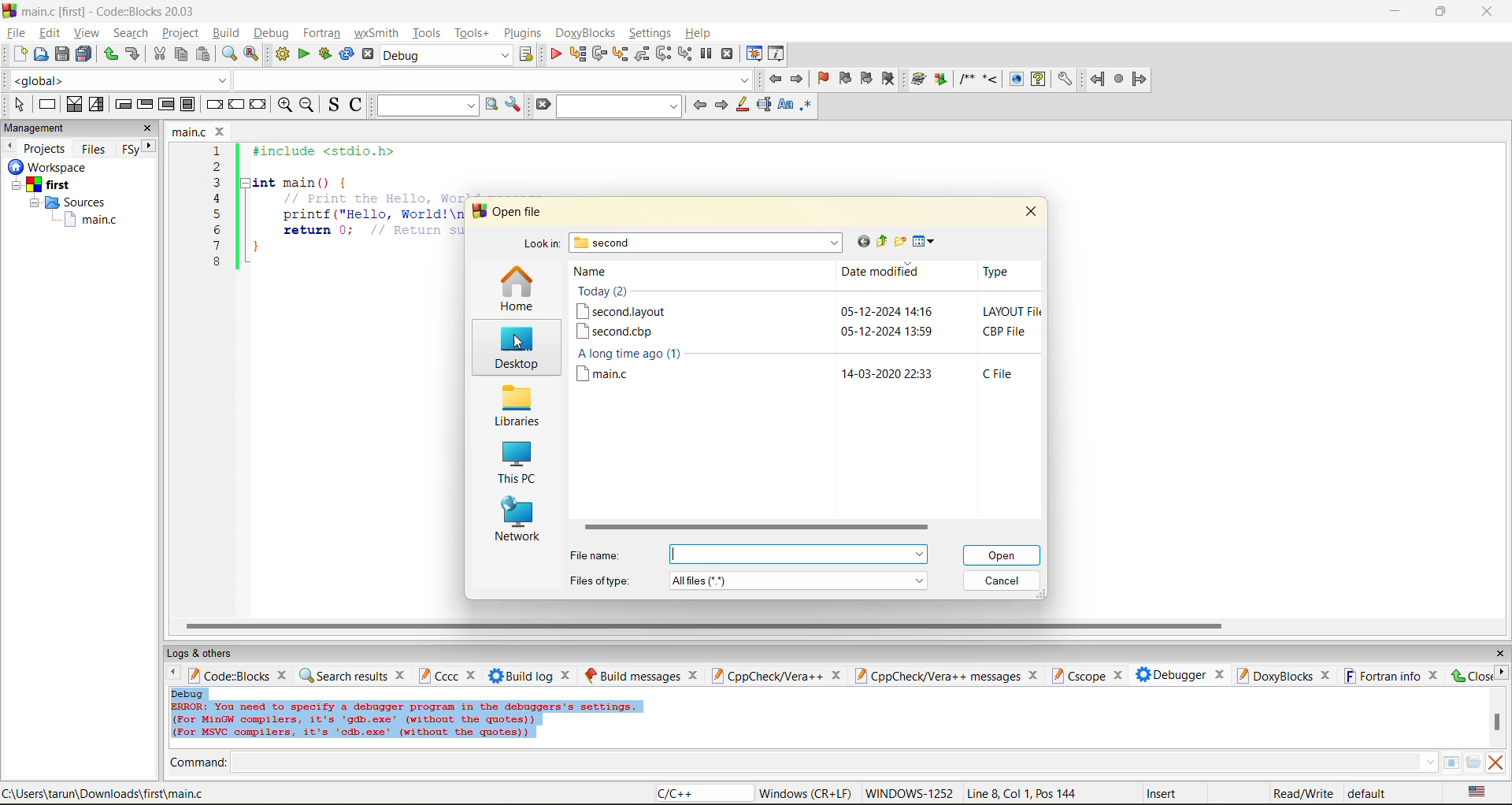 The height and width of the screenshot is (805, 1512). I want to click on file location, so click(104, 793).